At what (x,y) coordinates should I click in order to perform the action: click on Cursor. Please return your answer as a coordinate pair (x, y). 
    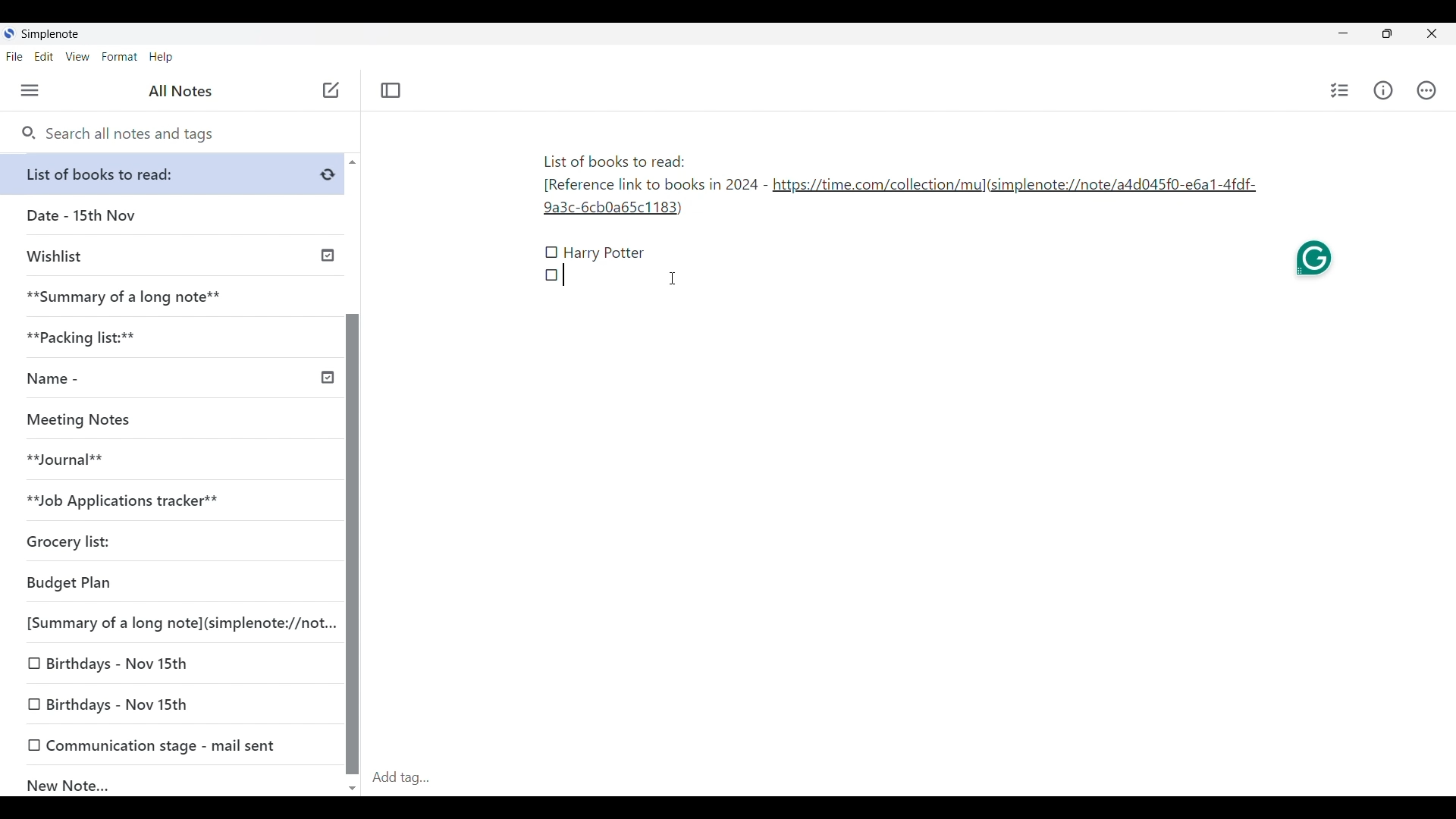
    Looking at the image, I should click on (674, 278).